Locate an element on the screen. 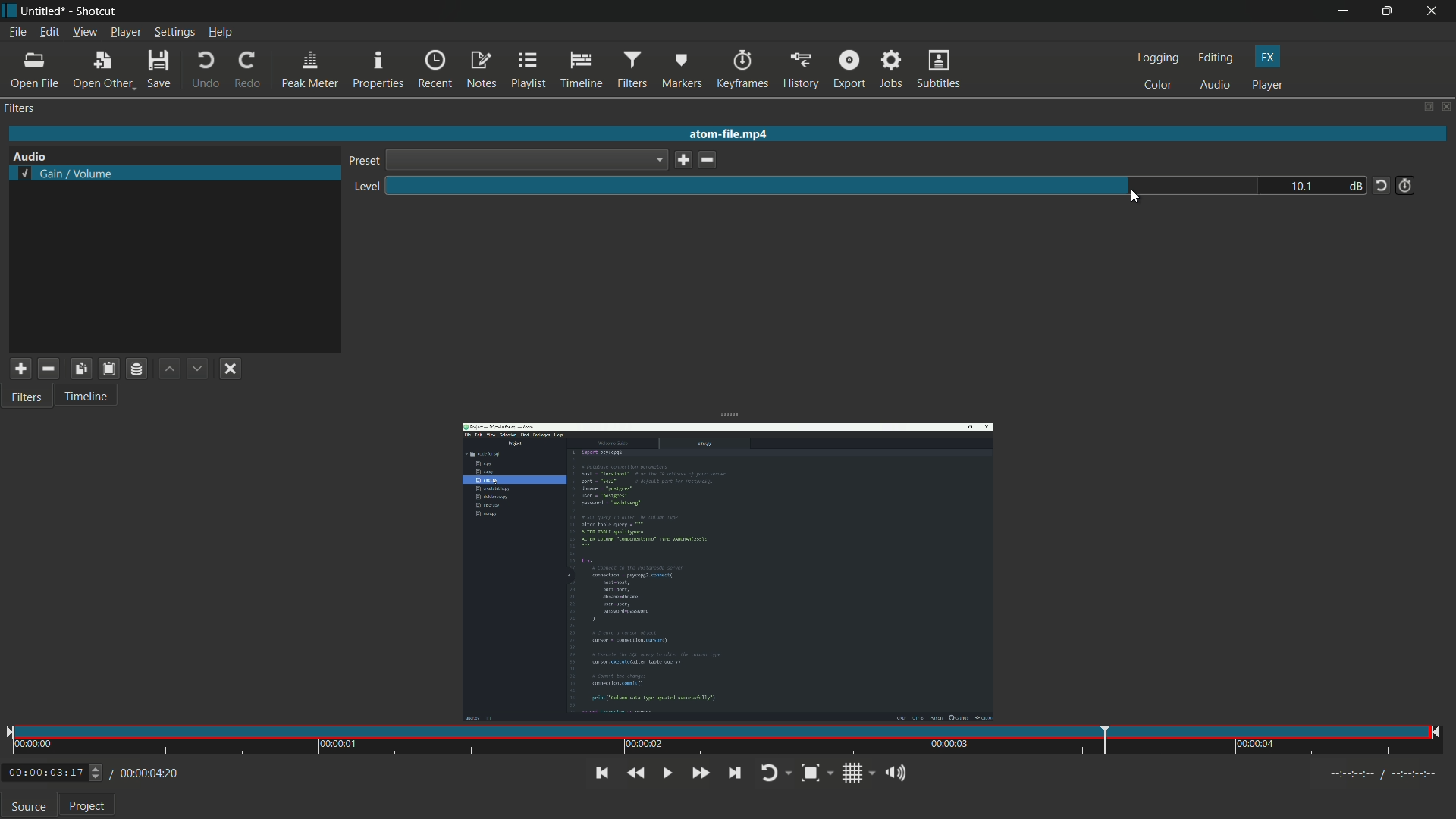 The height and width of the screenshot is (819, 1456). level is located at coordinates (366, 187).